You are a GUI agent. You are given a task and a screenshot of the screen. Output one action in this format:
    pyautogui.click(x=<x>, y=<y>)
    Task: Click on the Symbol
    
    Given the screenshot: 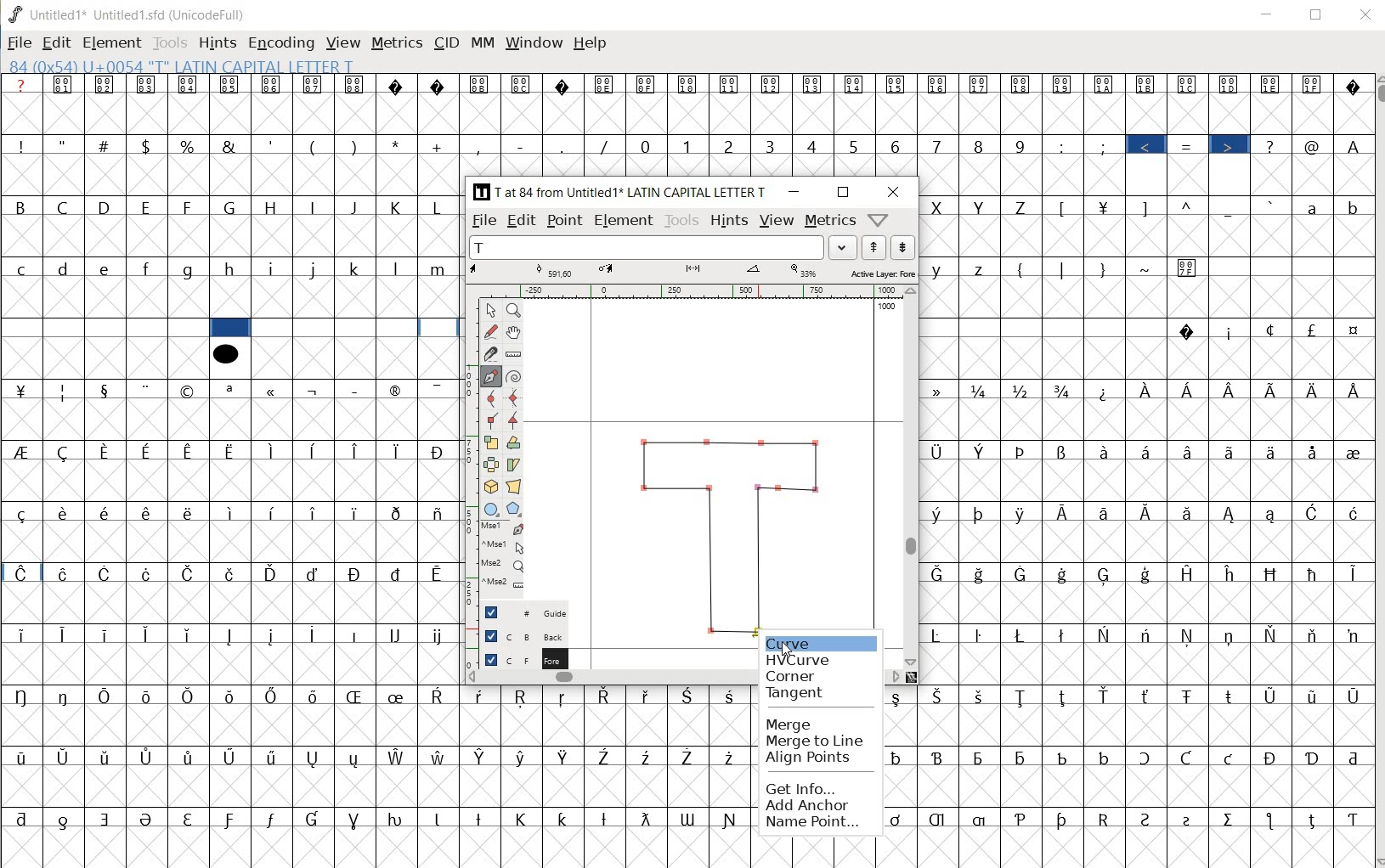 What is the action you would take?
    pyautogui.click(x=188, y=635)
    